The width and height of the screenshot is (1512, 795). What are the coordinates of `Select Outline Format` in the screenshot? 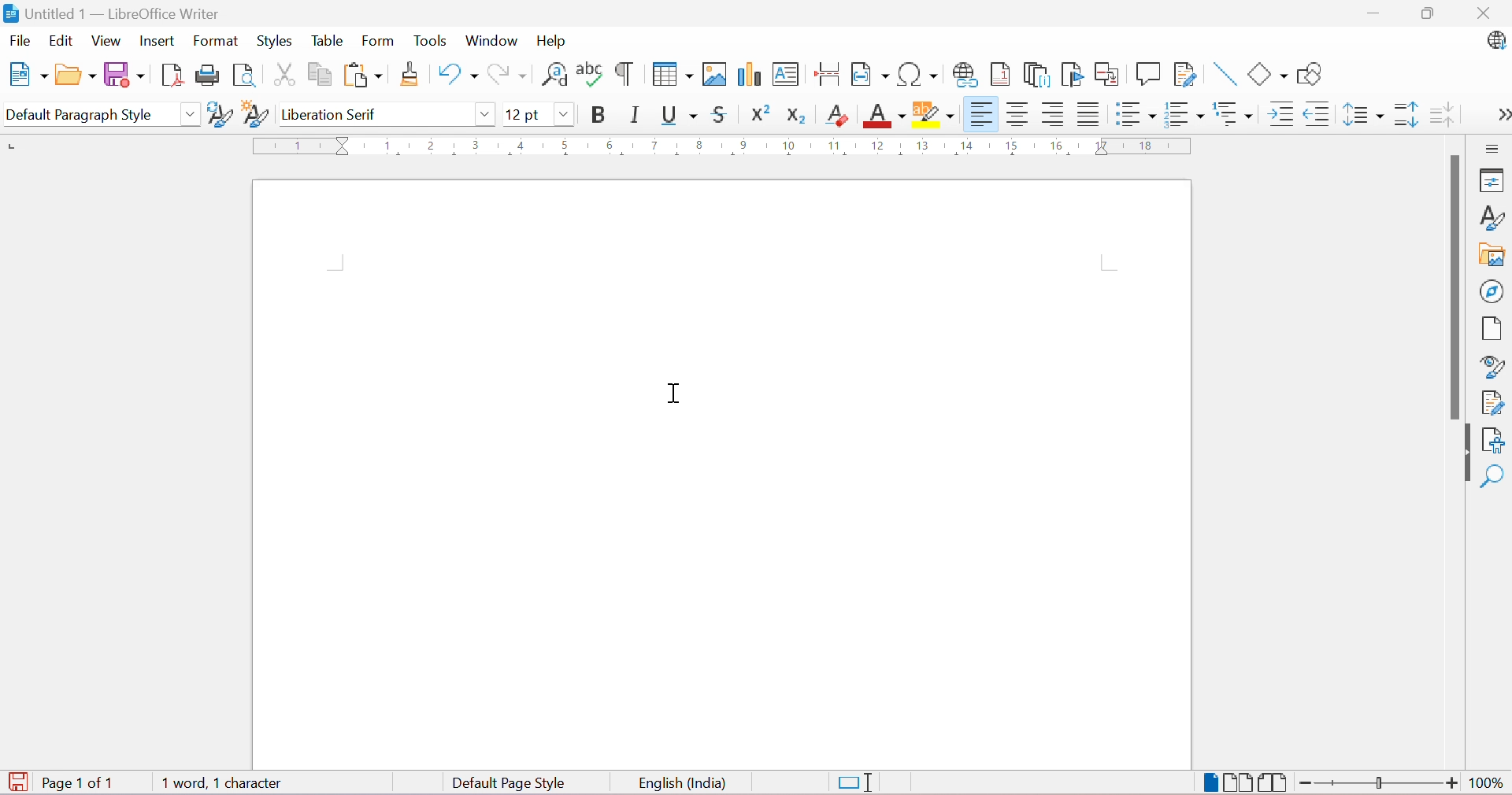 It's located at (1231, 113).